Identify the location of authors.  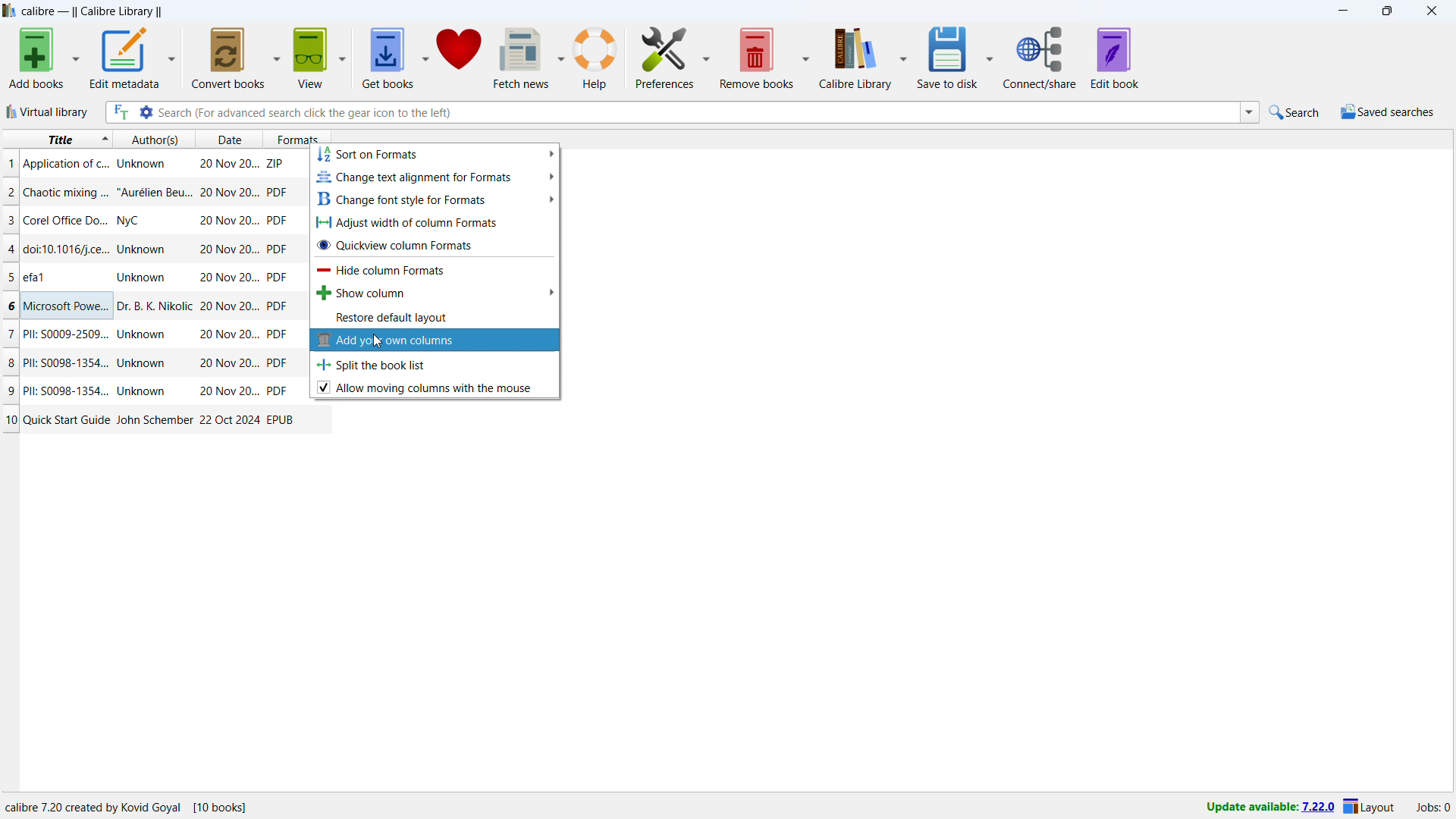
(155, 139).